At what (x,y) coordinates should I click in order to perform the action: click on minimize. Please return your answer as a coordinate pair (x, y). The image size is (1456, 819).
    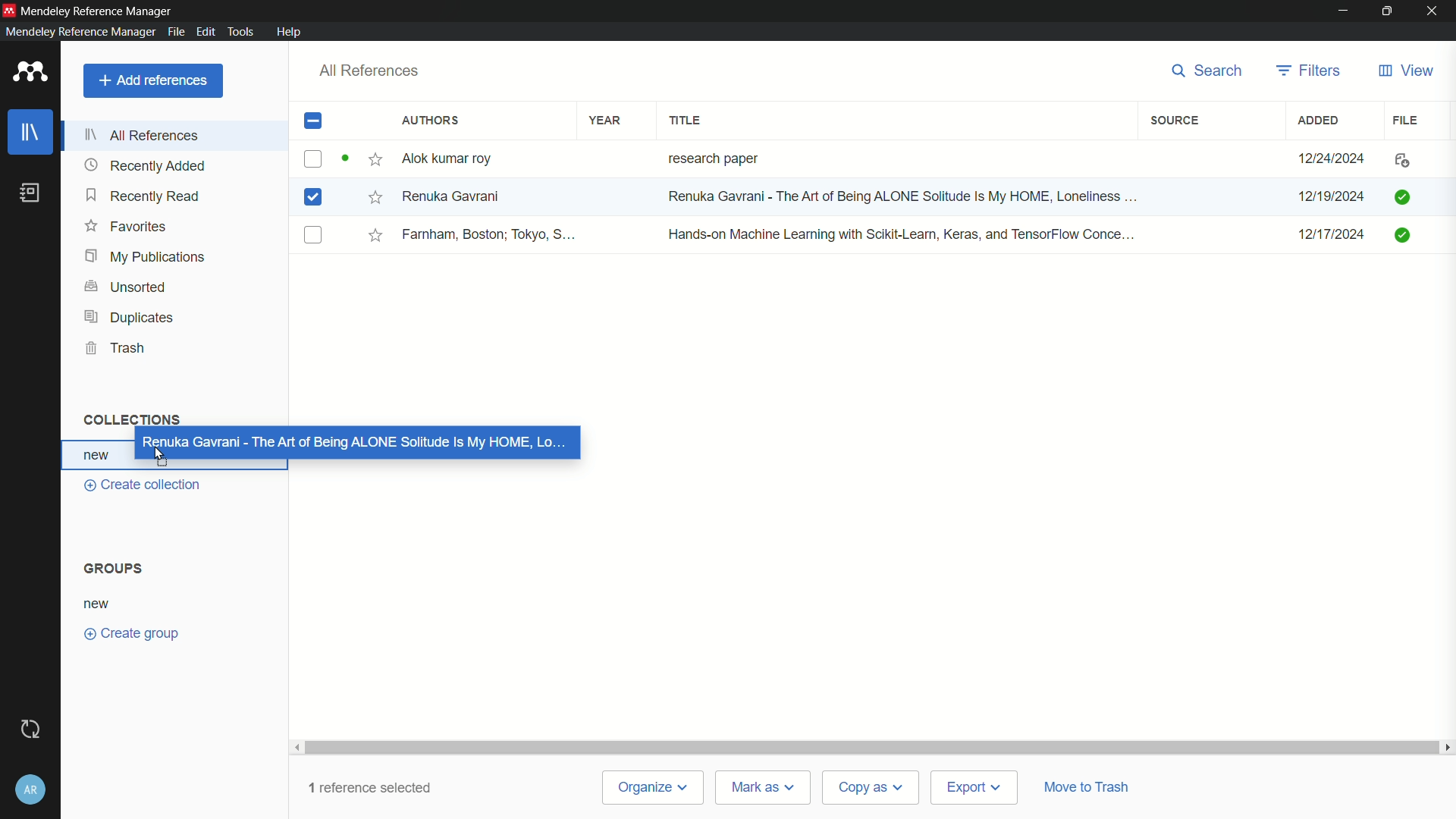
    Looking at the image, I should click on (1341, 11).